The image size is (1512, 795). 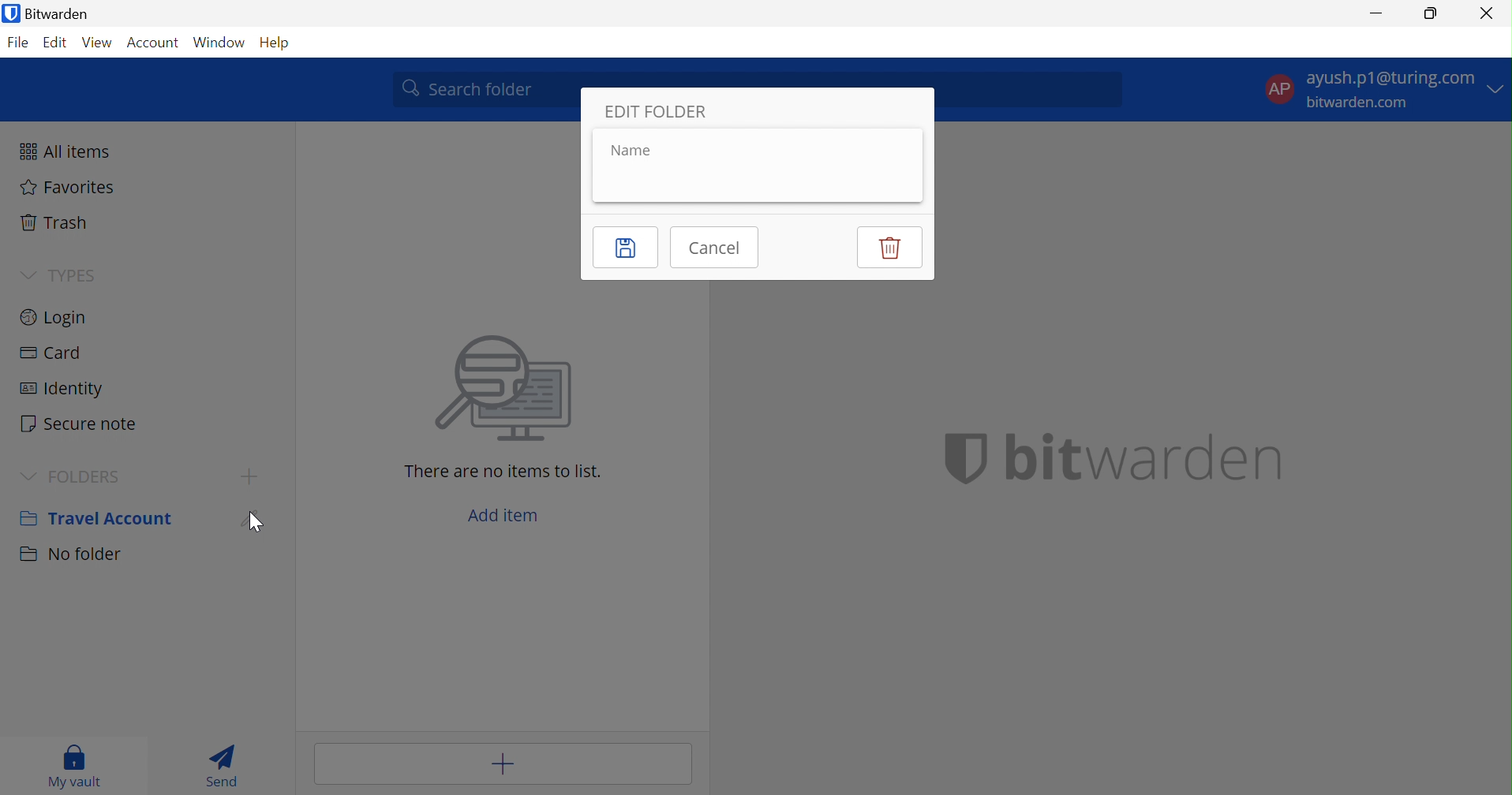 I want to click on Card, so click(x=51, y=353).